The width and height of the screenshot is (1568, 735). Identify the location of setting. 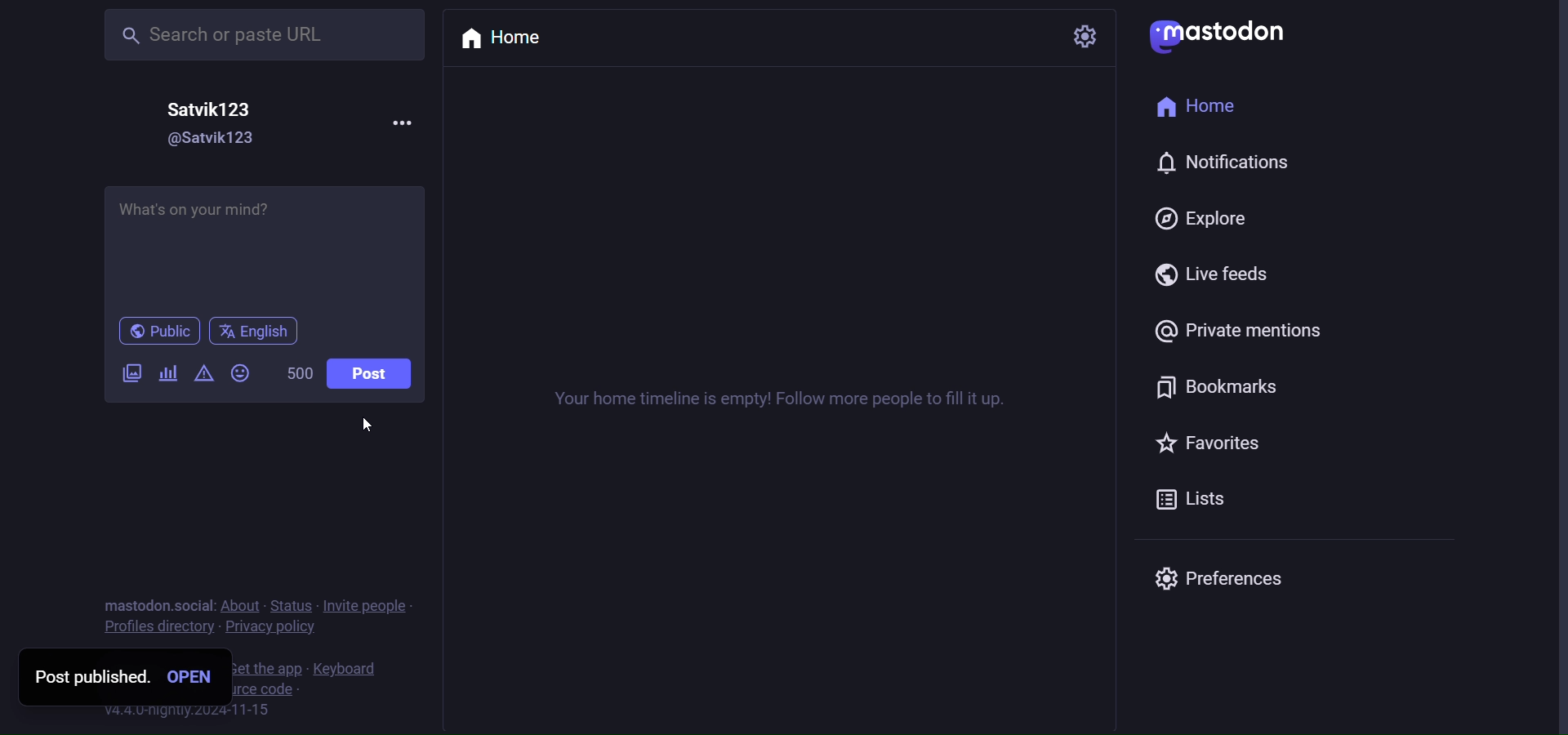
(1084, 36).